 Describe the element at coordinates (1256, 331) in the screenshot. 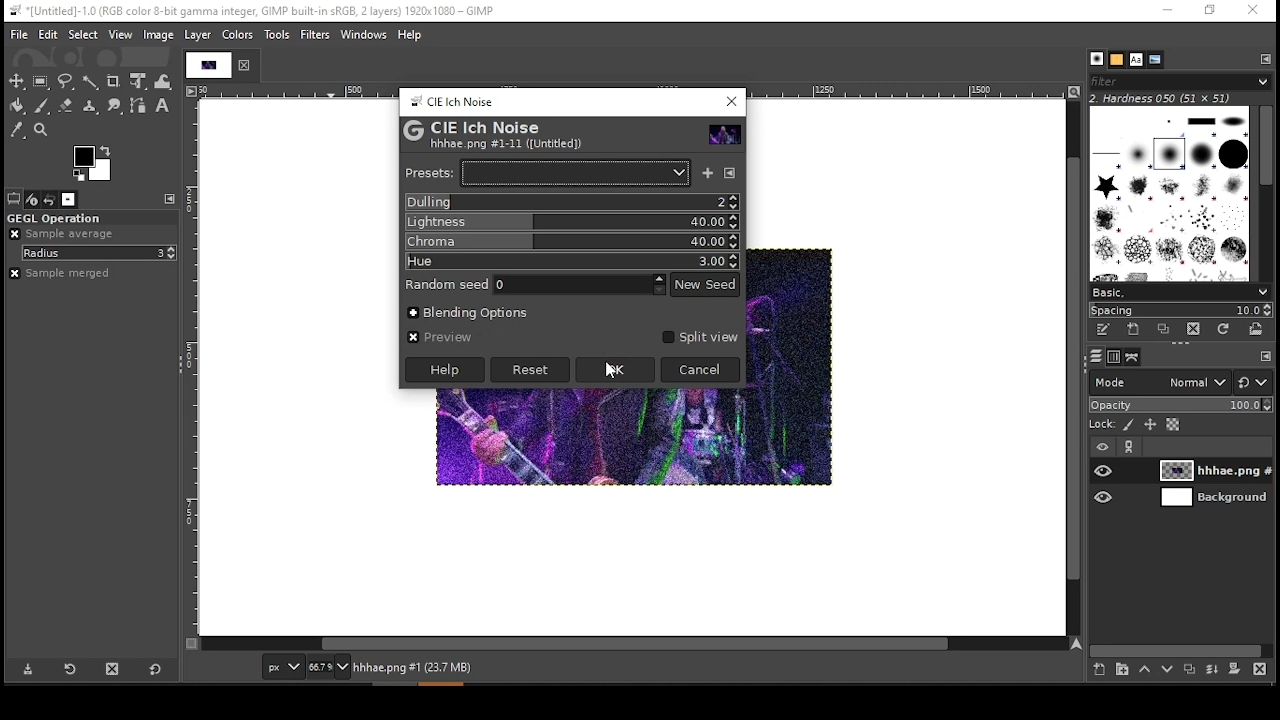

I see `open brush as image` at that location.